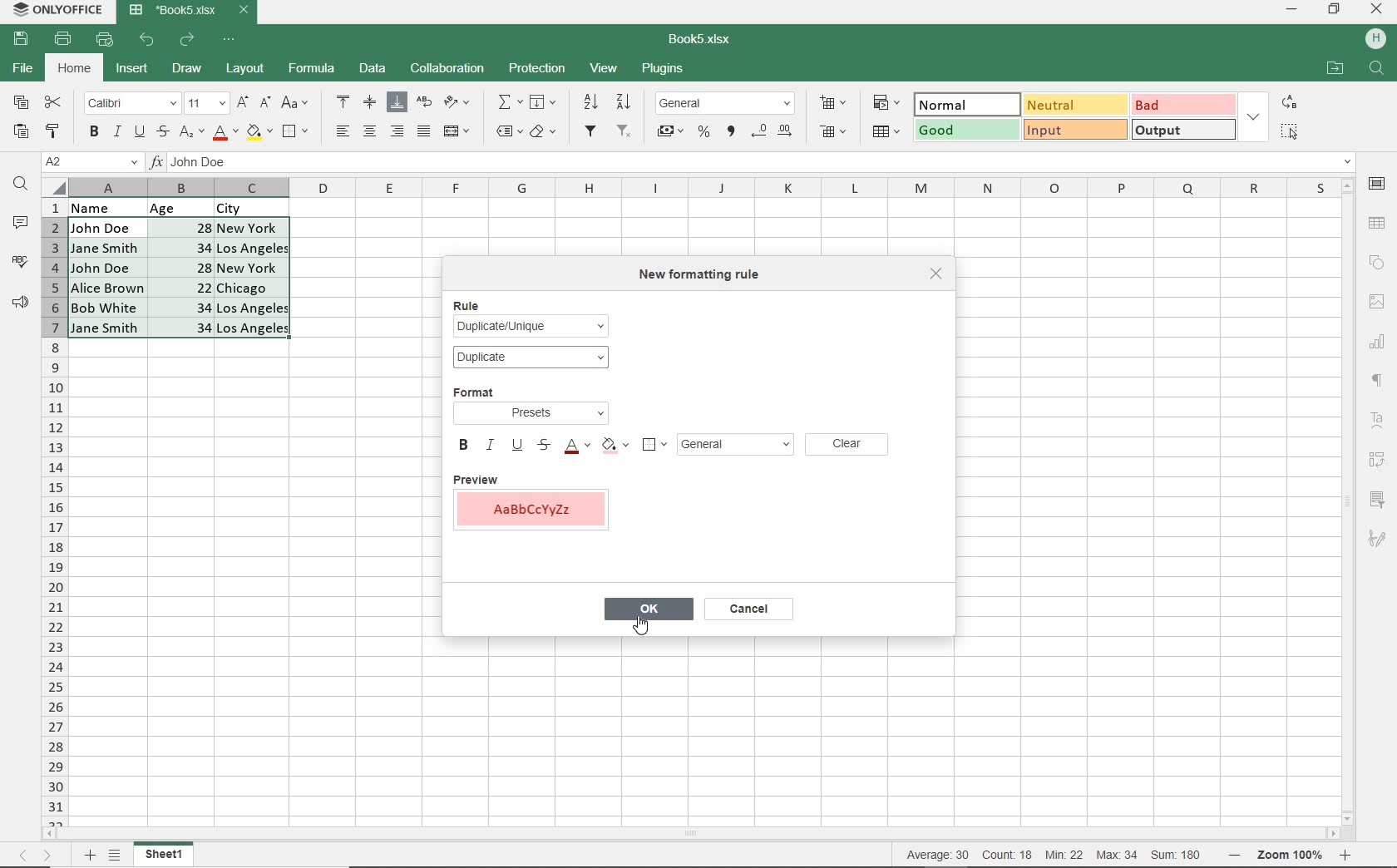 The image size is (1397, 868). Describe the element at coordinates (718, 443) in the screenshot. I see `GENERAL` at that location.